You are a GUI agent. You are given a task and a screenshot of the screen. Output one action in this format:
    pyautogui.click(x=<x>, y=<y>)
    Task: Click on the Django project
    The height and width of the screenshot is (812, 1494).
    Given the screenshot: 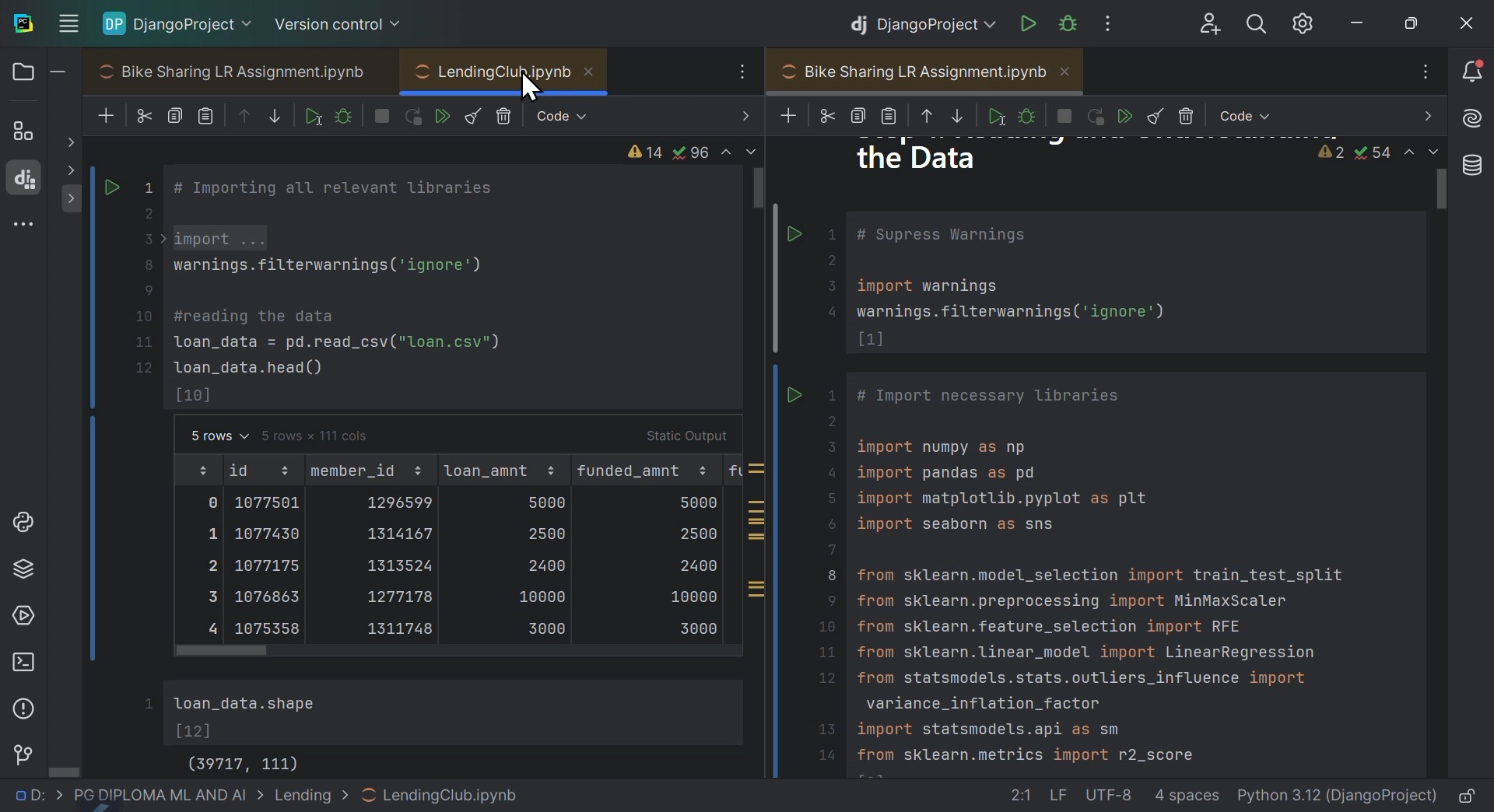 What is the action you would take?
    pyautogui.click(x=181, y=20)
    